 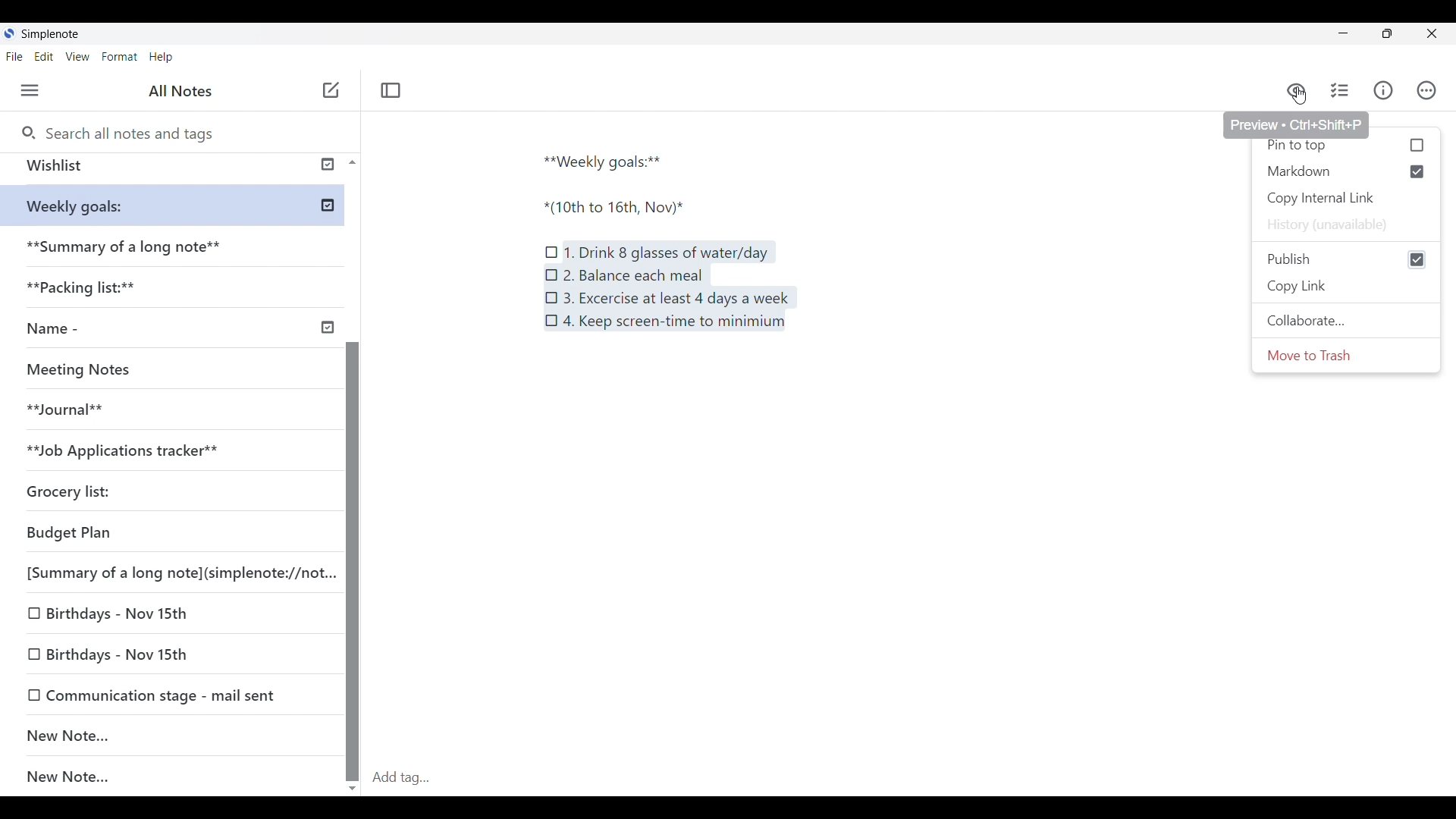 What do you see at coordinates (624, 208) in the screenshot?
I see `*(10th to 16th, Nov)*` at bounding box center [624, 208].